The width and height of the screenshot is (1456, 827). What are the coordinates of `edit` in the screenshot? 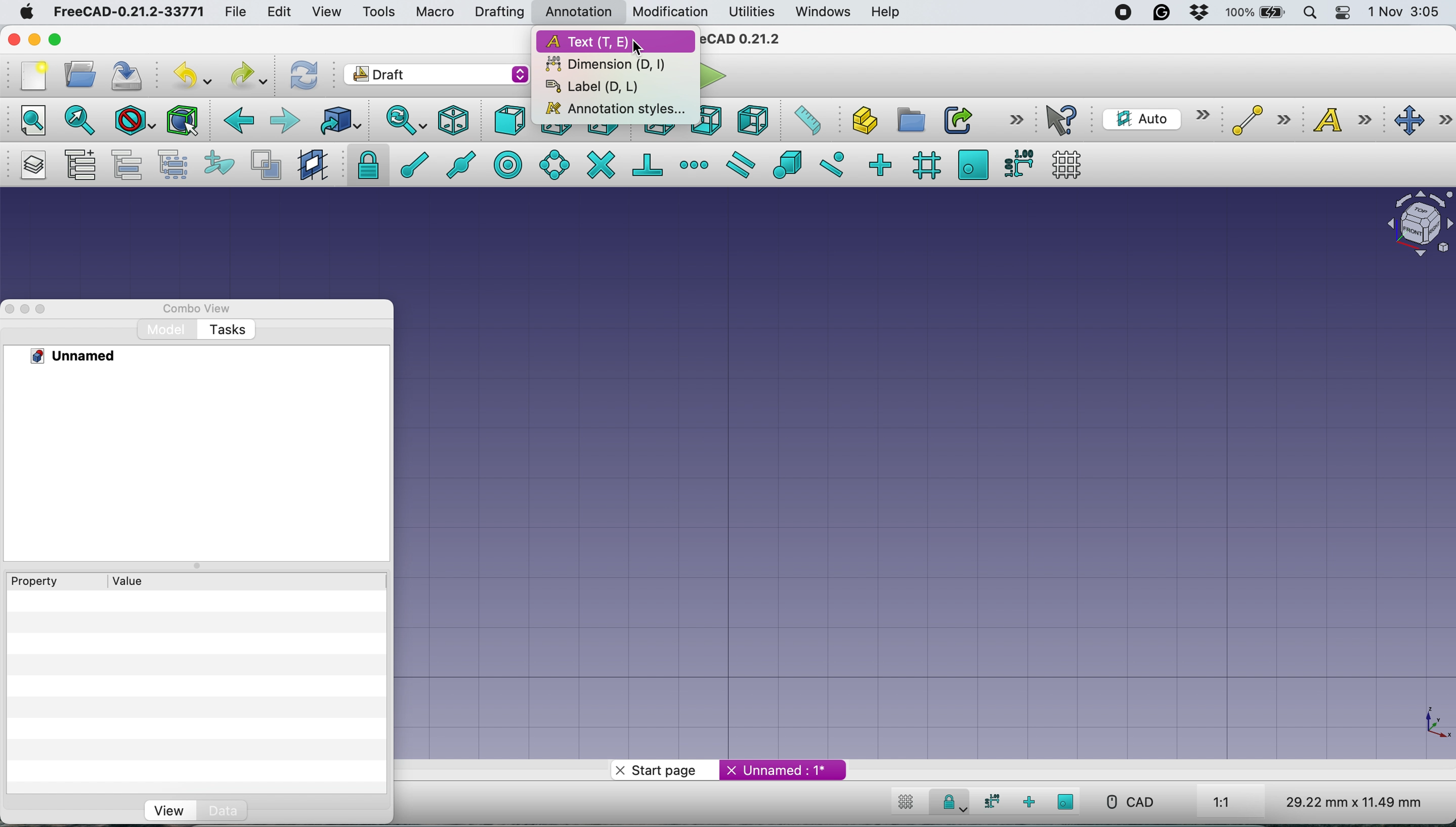 It's located at (280, 11).